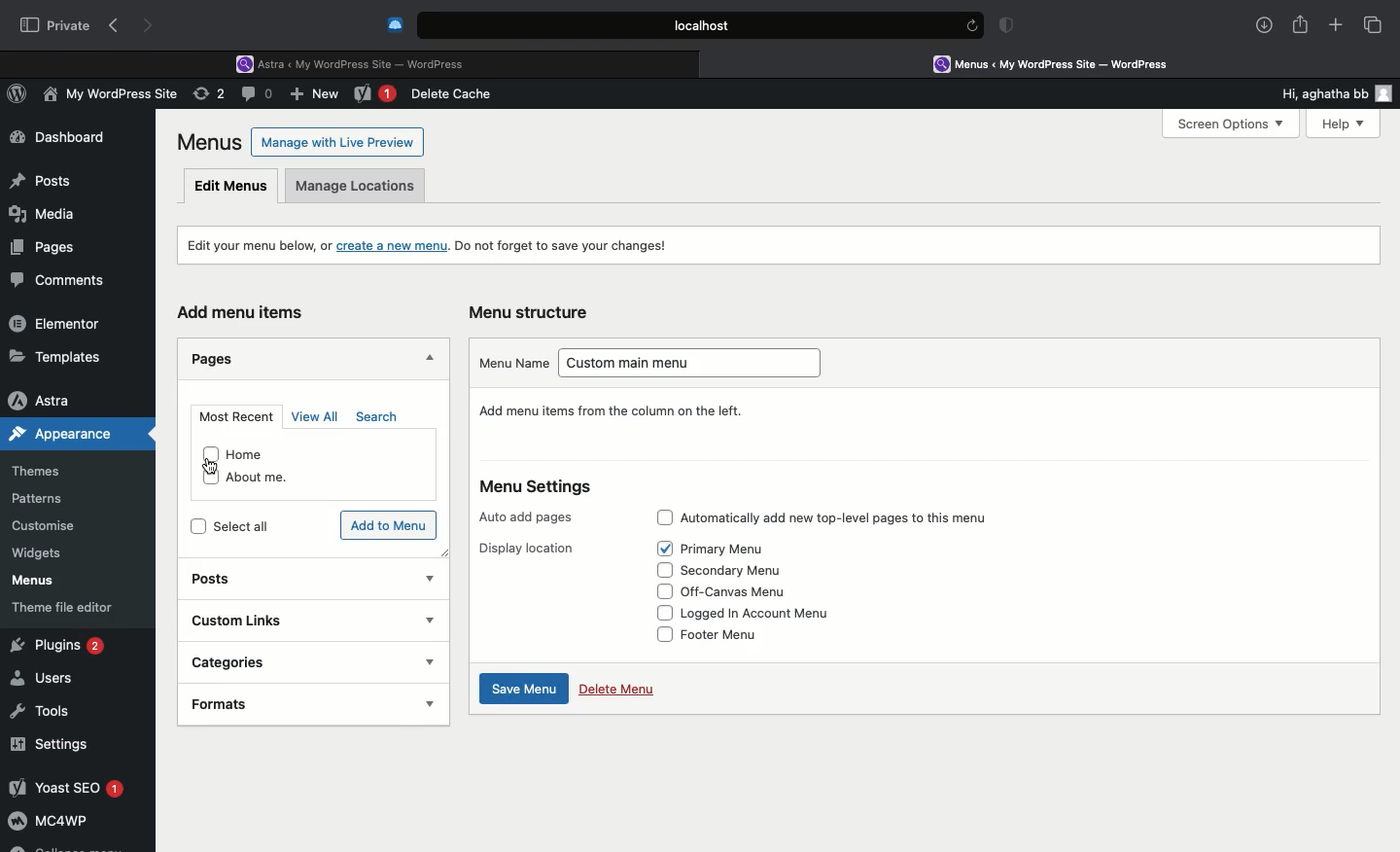  I want to click on Edit menus, so click(232, 185).